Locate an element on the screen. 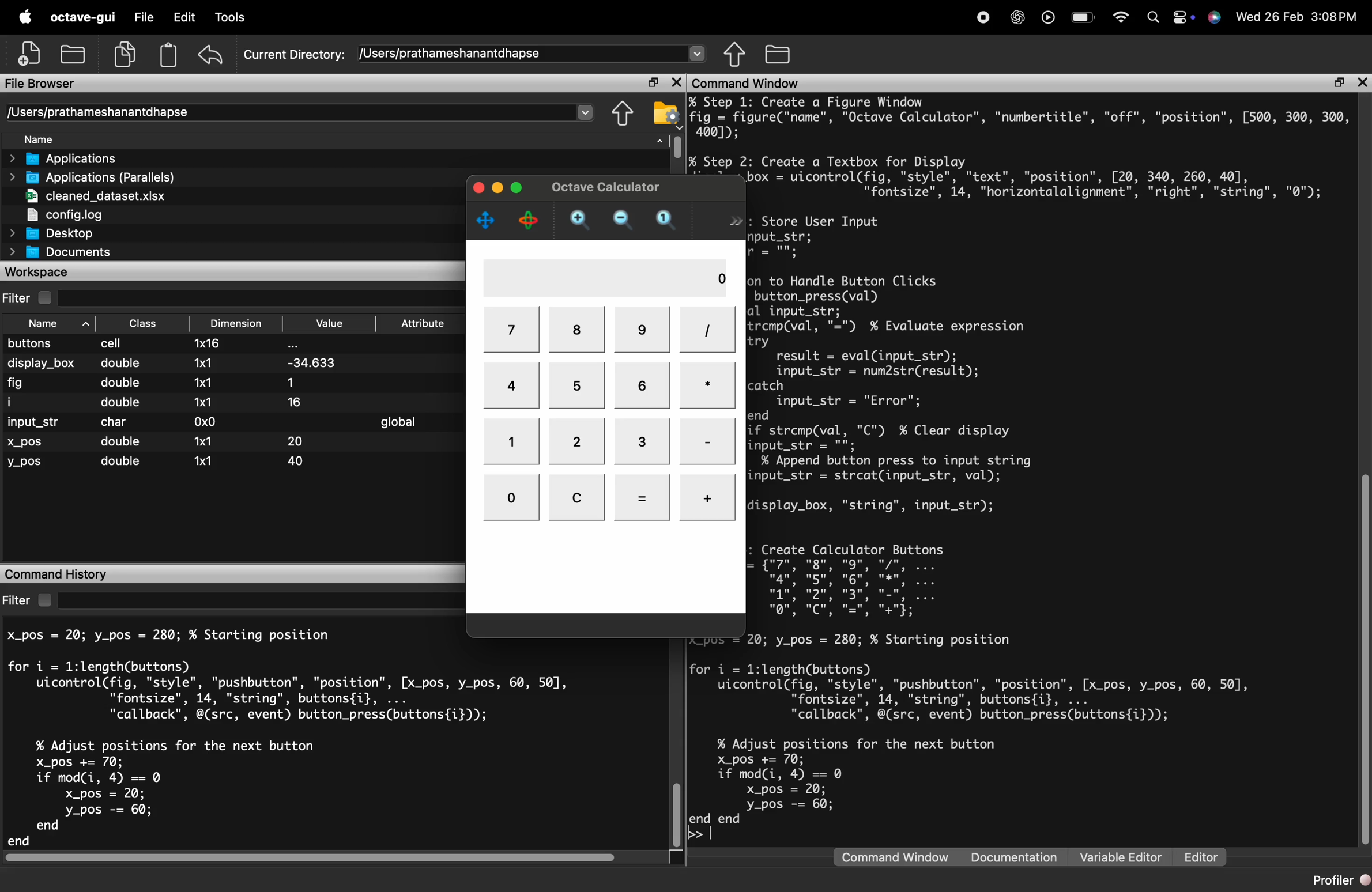 This screenshot has width=1372, height=892. Octave Calculator is located at coordinates (604, 187).